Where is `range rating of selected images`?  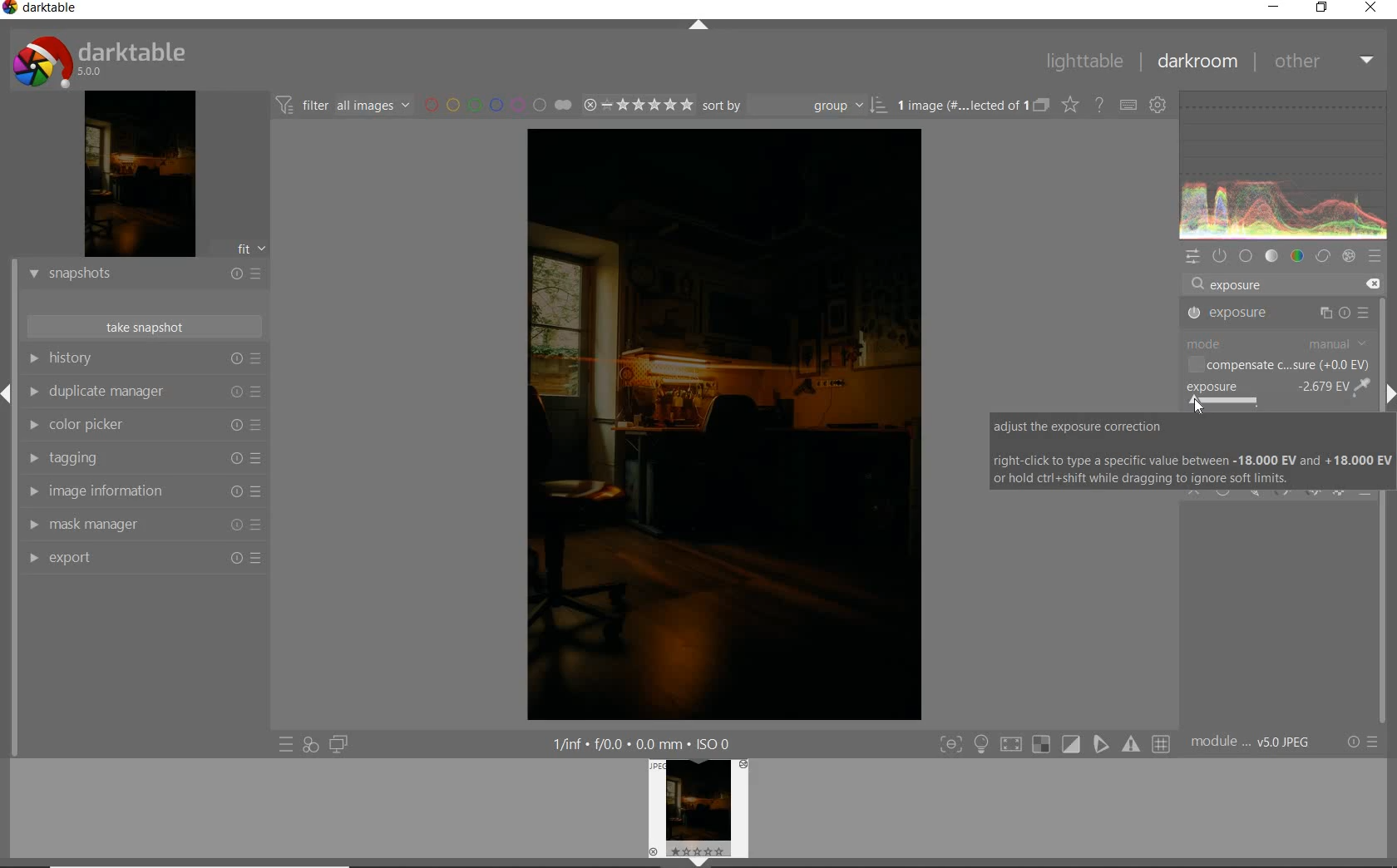 range rating of selected images is located at coordinates (638, 106).